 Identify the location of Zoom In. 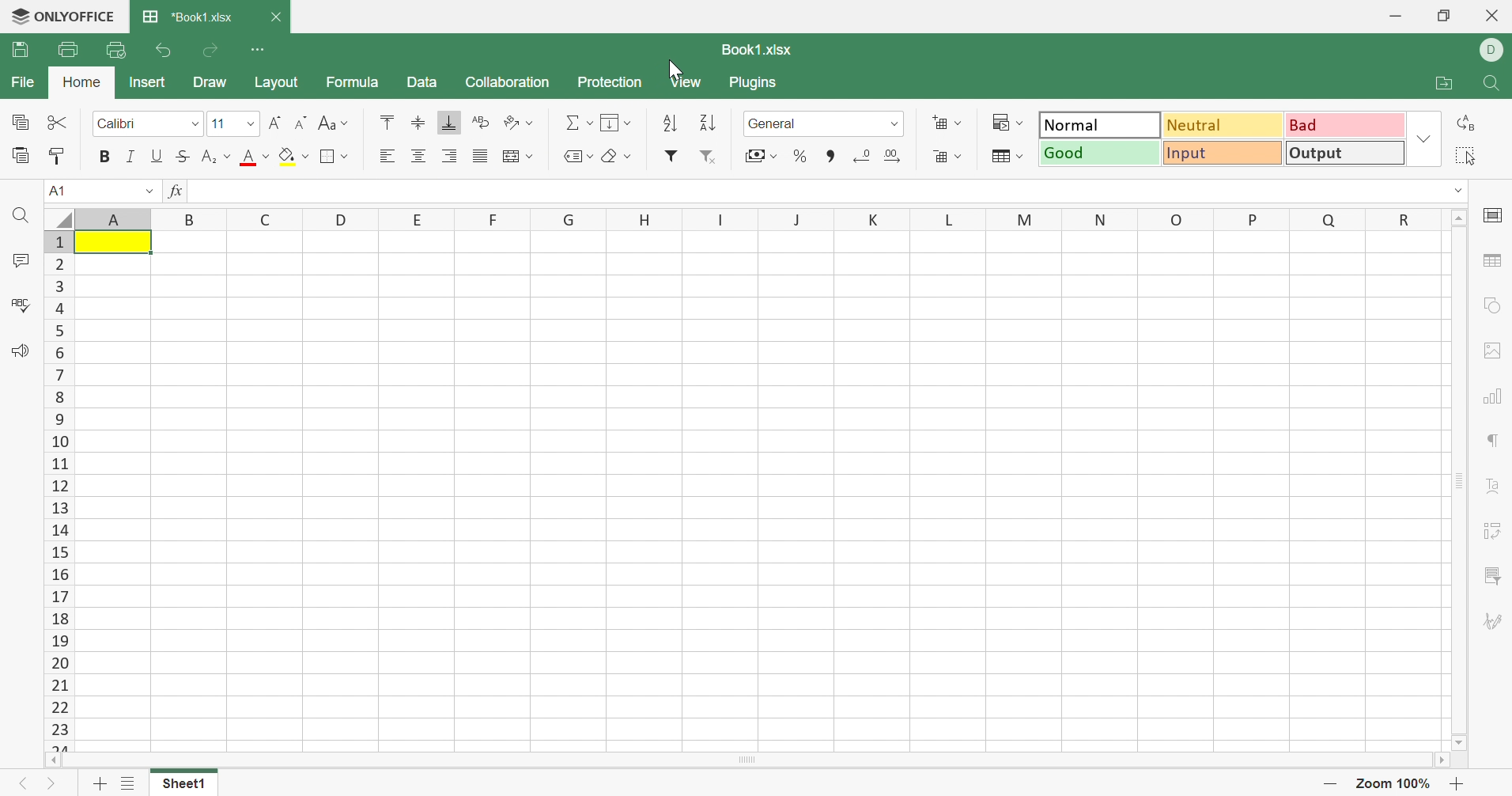
(1454, 783).